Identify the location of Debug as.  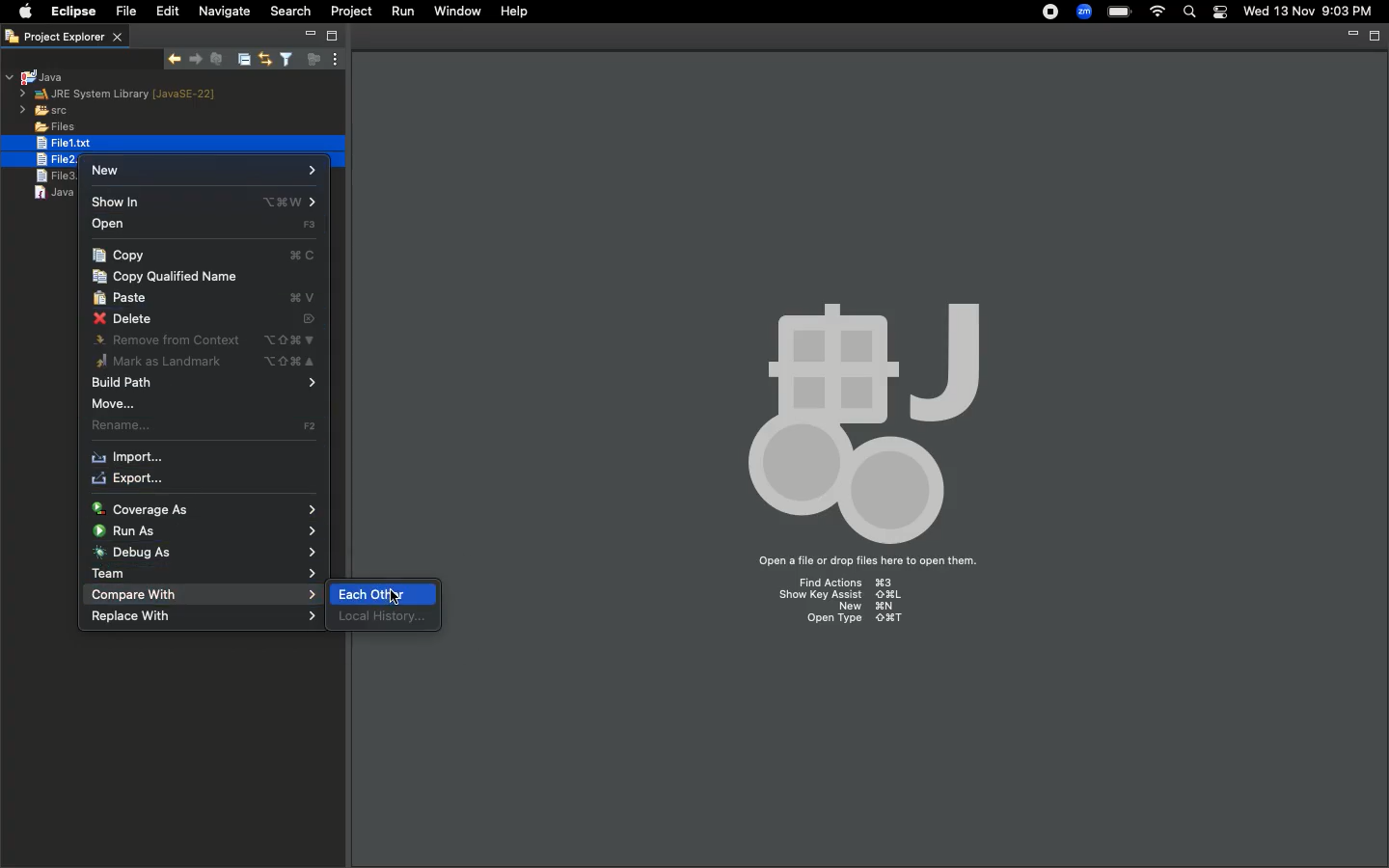
(208, 552).